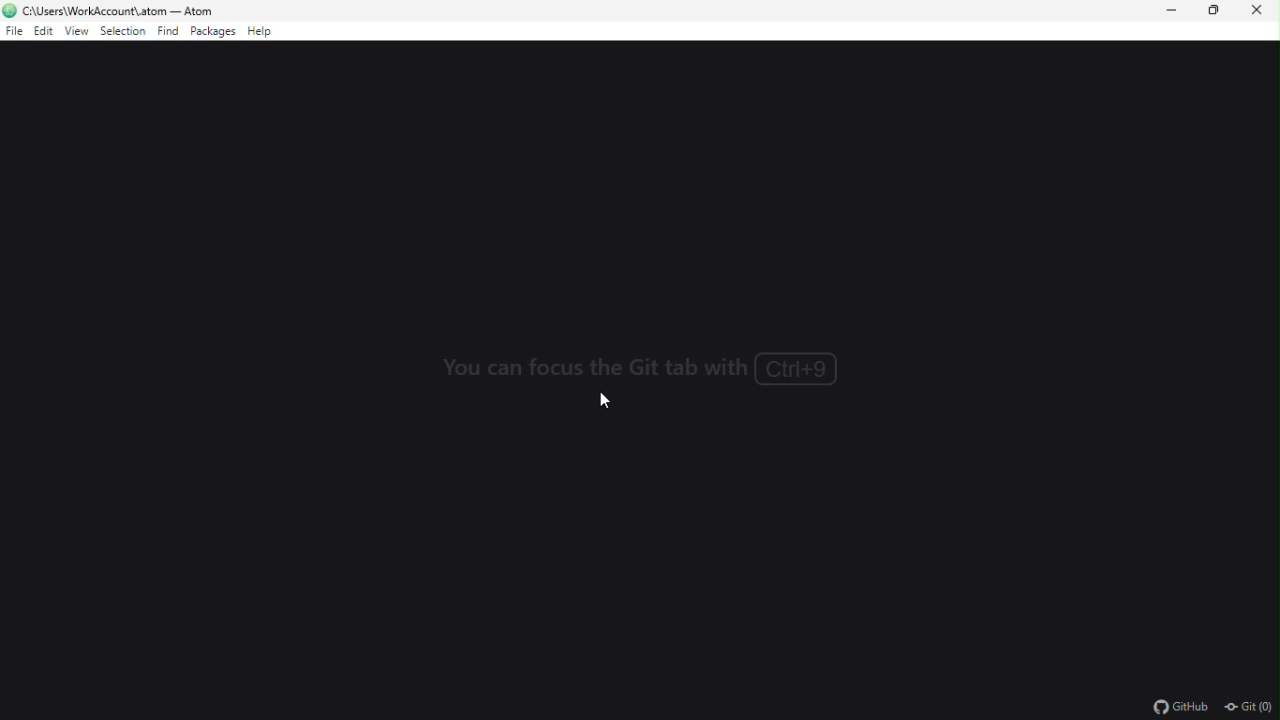  I want to click on git , so click(1250, 708).